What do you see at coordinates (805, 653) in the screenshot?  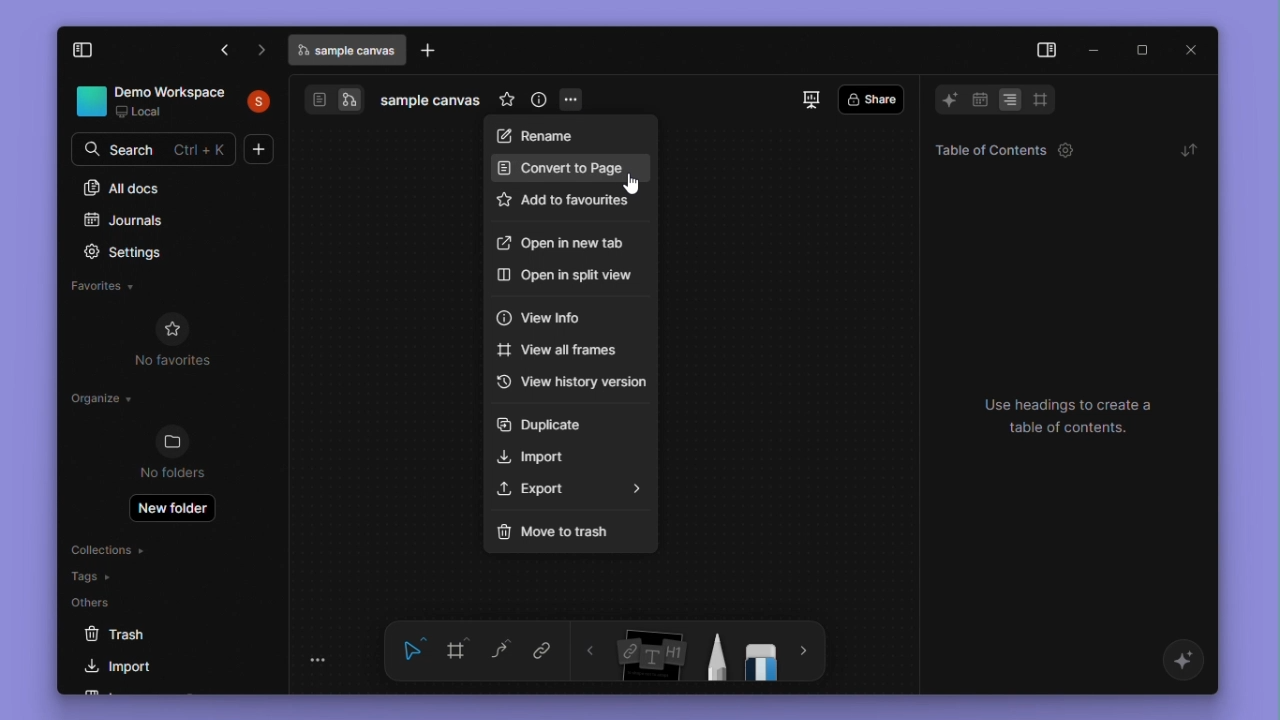 I see `more` at bounding box center [805, 653].